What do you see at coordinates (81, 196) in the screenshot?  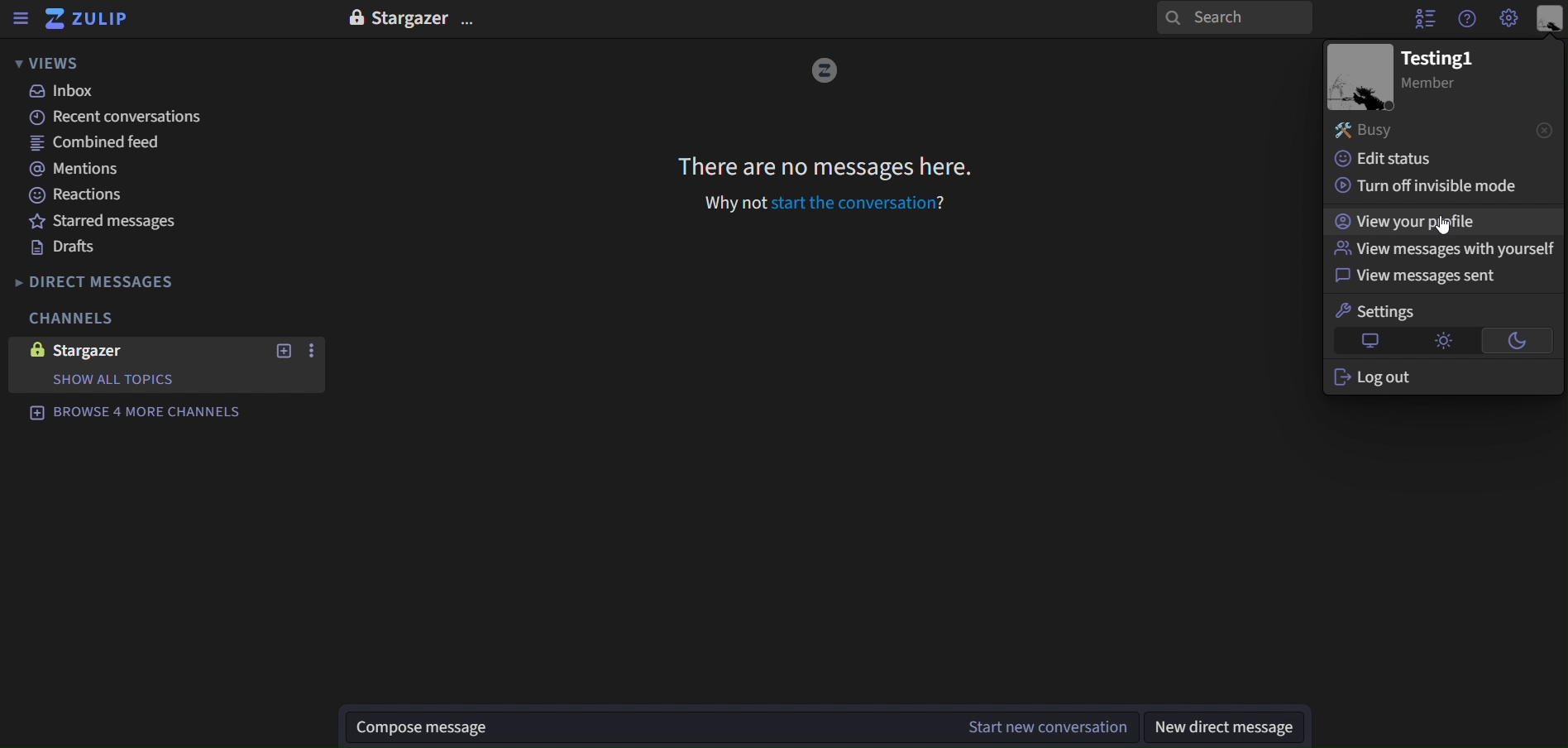 I see `reactions` at bounding box center [81, 196].